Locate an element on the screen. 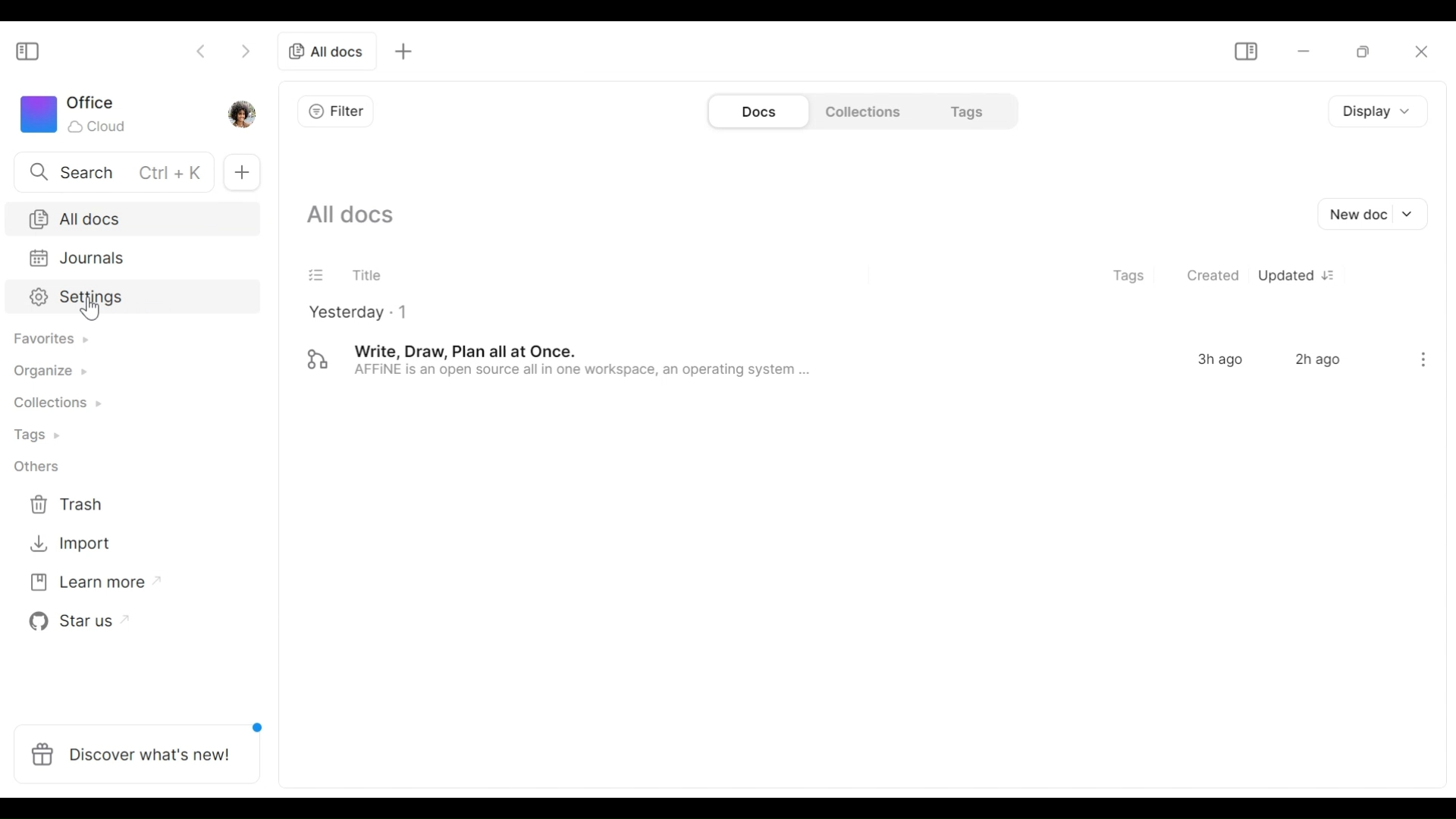 The width and height of the screenshot is (1456, 819). Import is located at coordinates (67, 544).